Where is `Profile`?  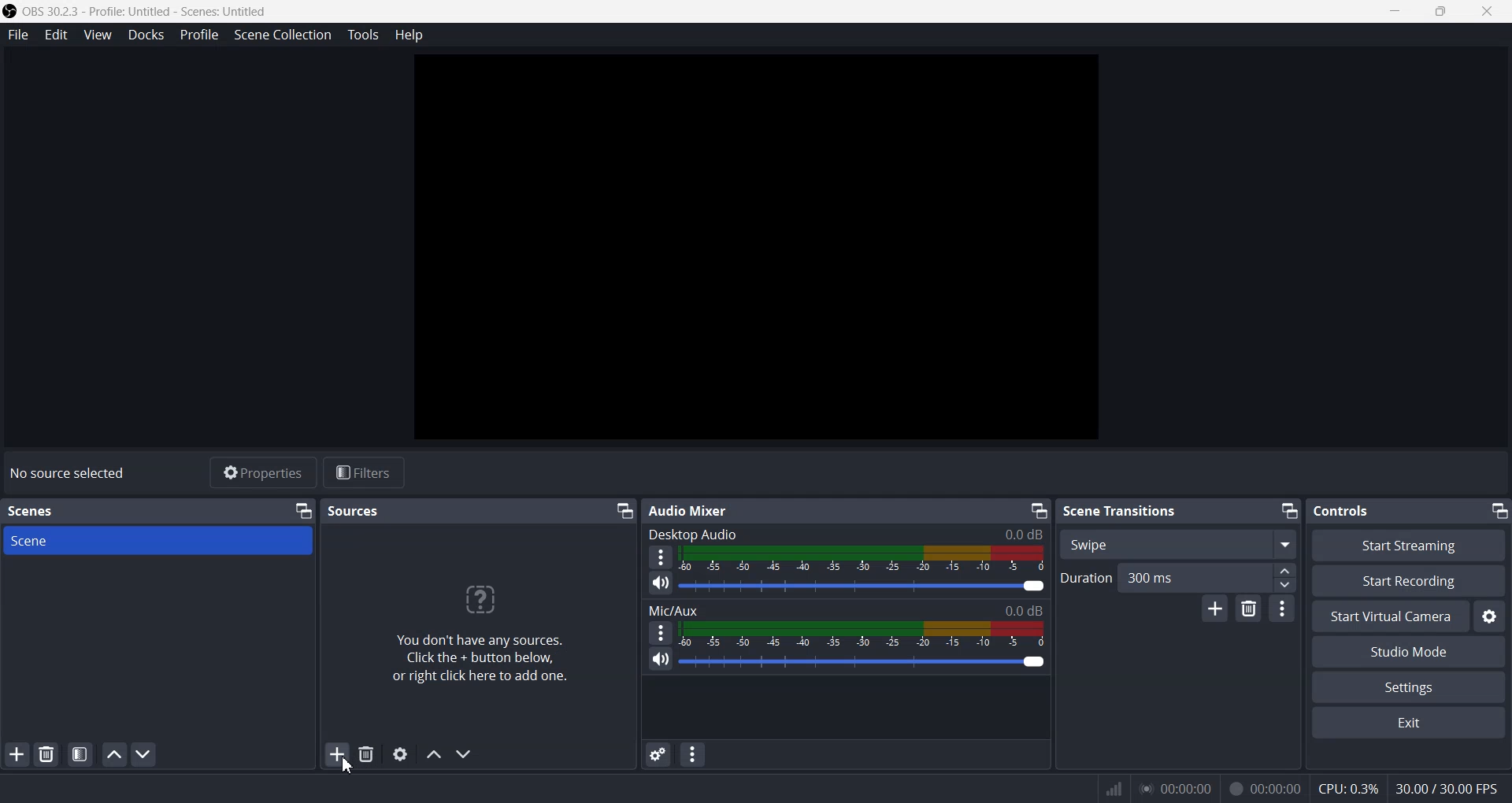 Profile is located at coordinates (199, 34).